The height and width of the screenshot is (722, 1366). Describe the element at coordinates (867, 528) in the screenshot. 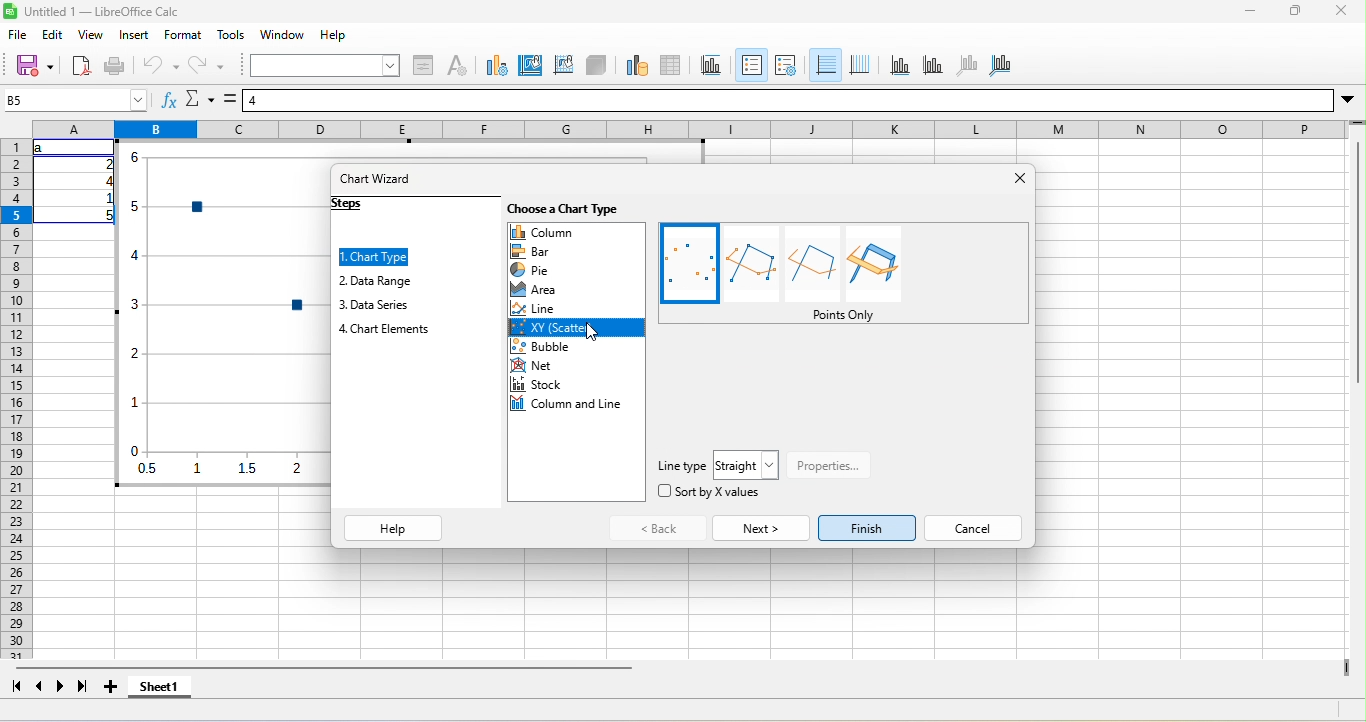

I see `finish` at that location.